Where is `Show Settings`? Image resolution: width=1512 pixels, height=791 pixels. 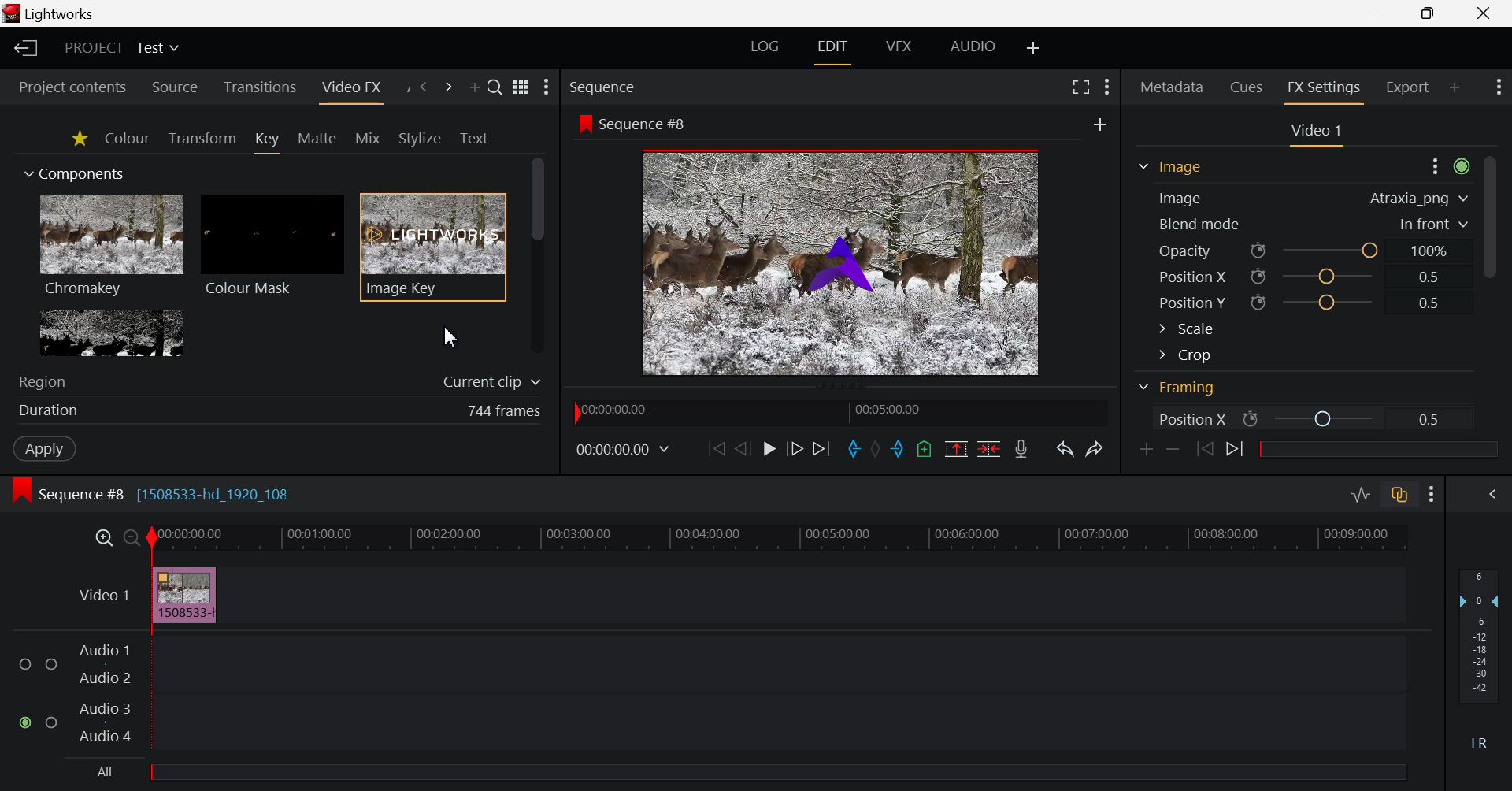
Show Settings is located at coordinates (1429, 493).